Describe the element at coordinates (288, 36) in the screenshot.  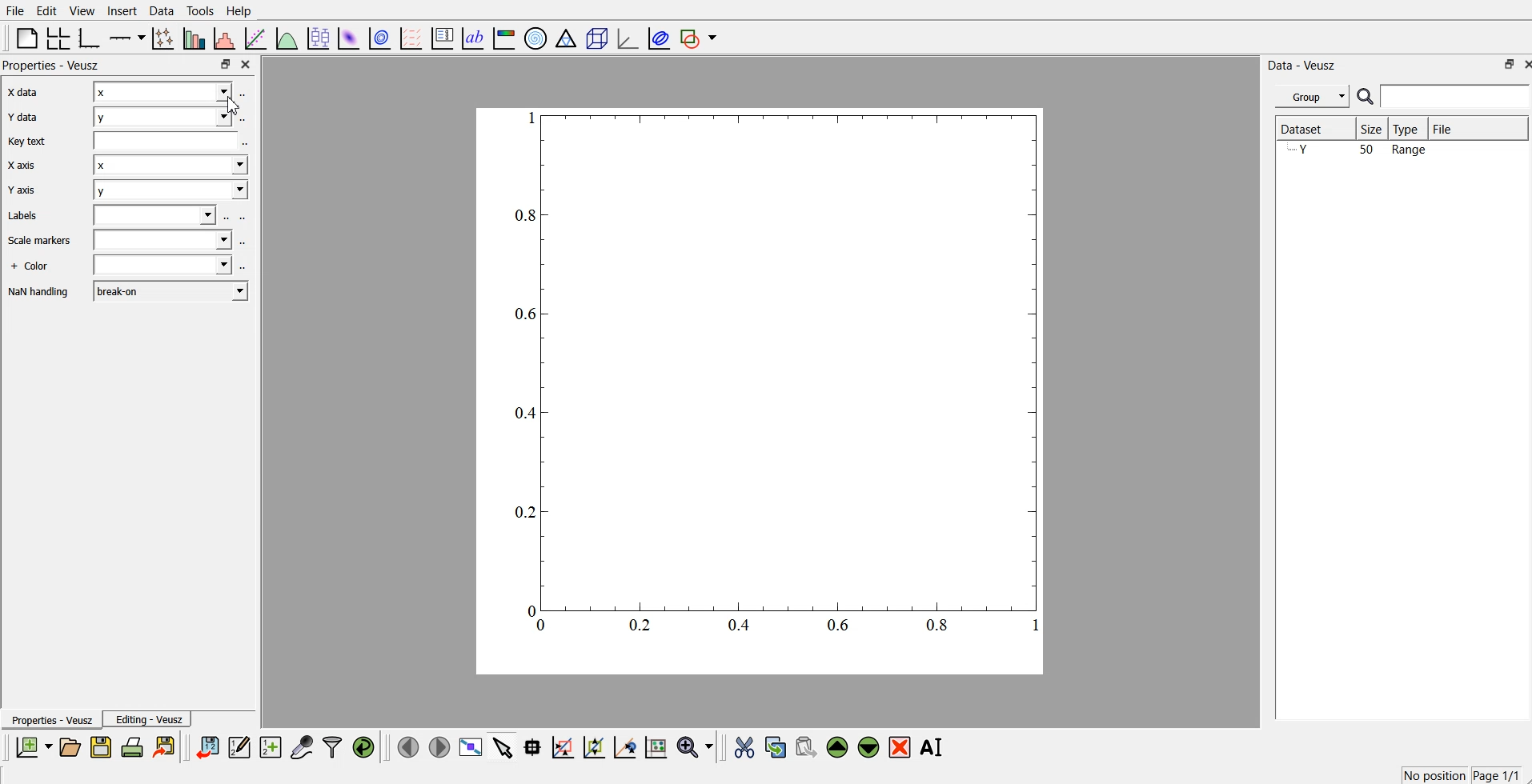
I see `plot a function` at that location.